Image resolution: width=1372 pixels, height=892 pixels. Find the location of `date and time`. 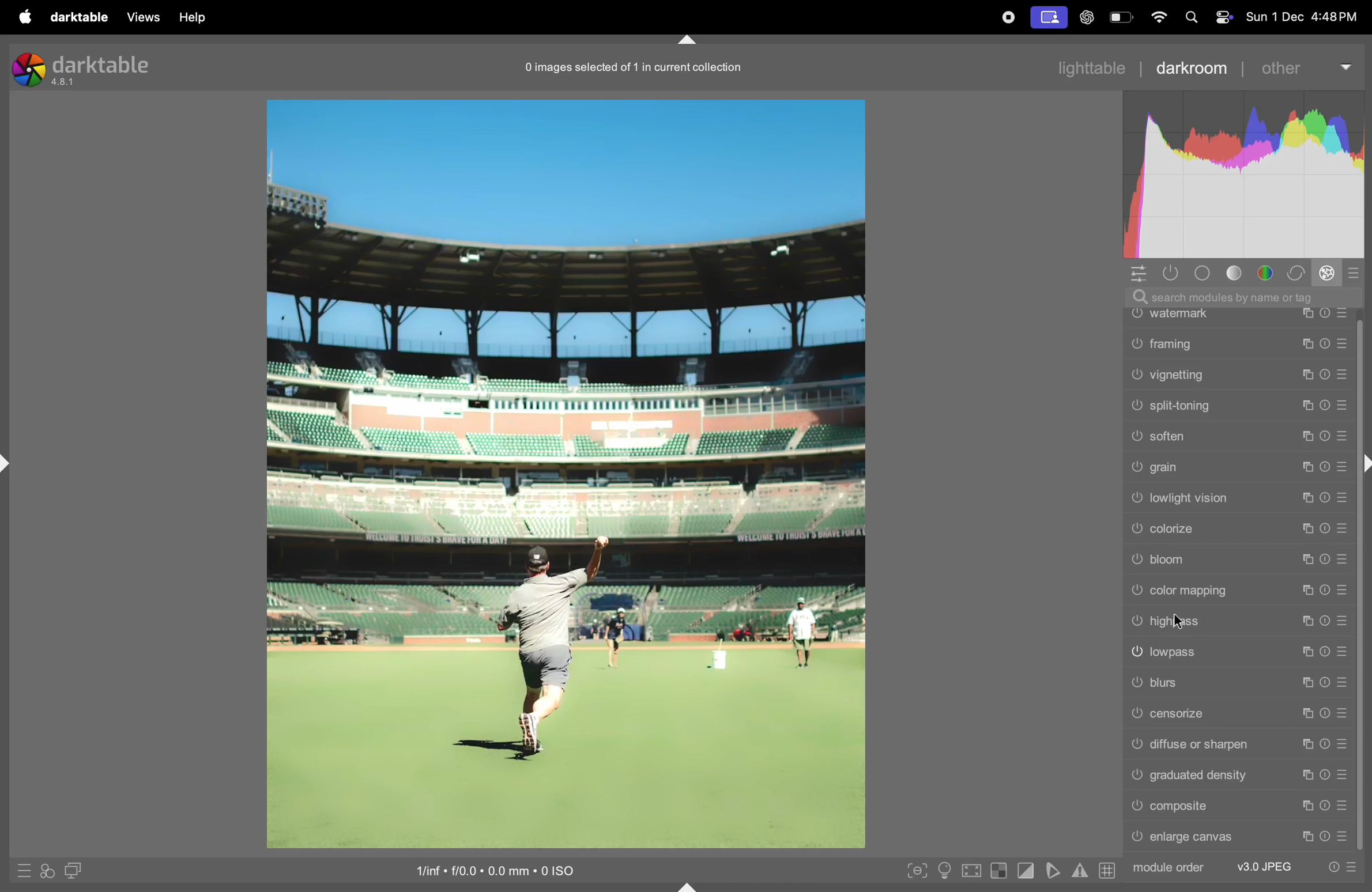

date and time is located at coordinates (1305, 17).